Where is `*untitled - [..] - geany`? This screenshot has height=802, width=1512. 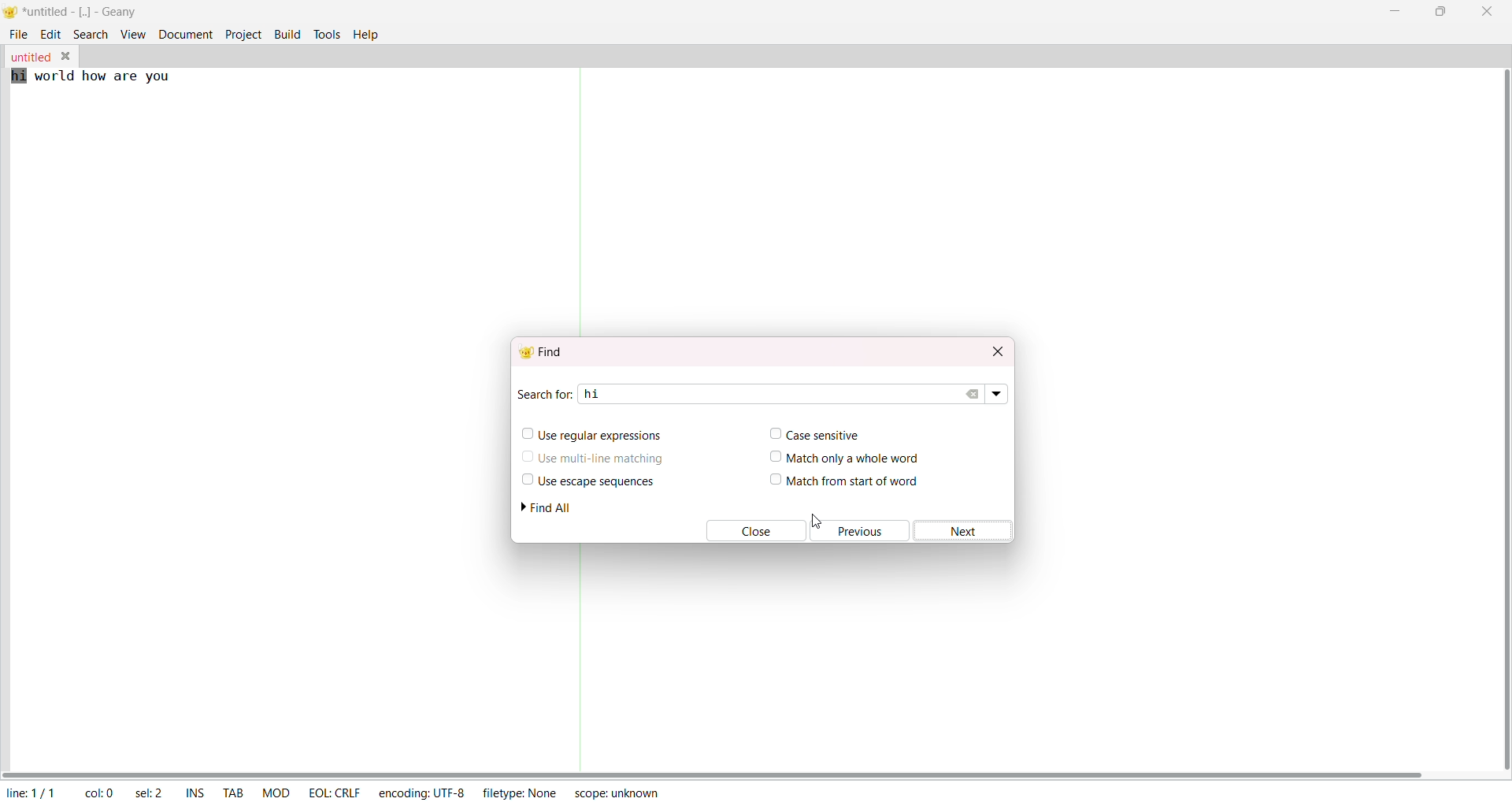 *untitled - [..] - geany is located at coordinates (82, 10).